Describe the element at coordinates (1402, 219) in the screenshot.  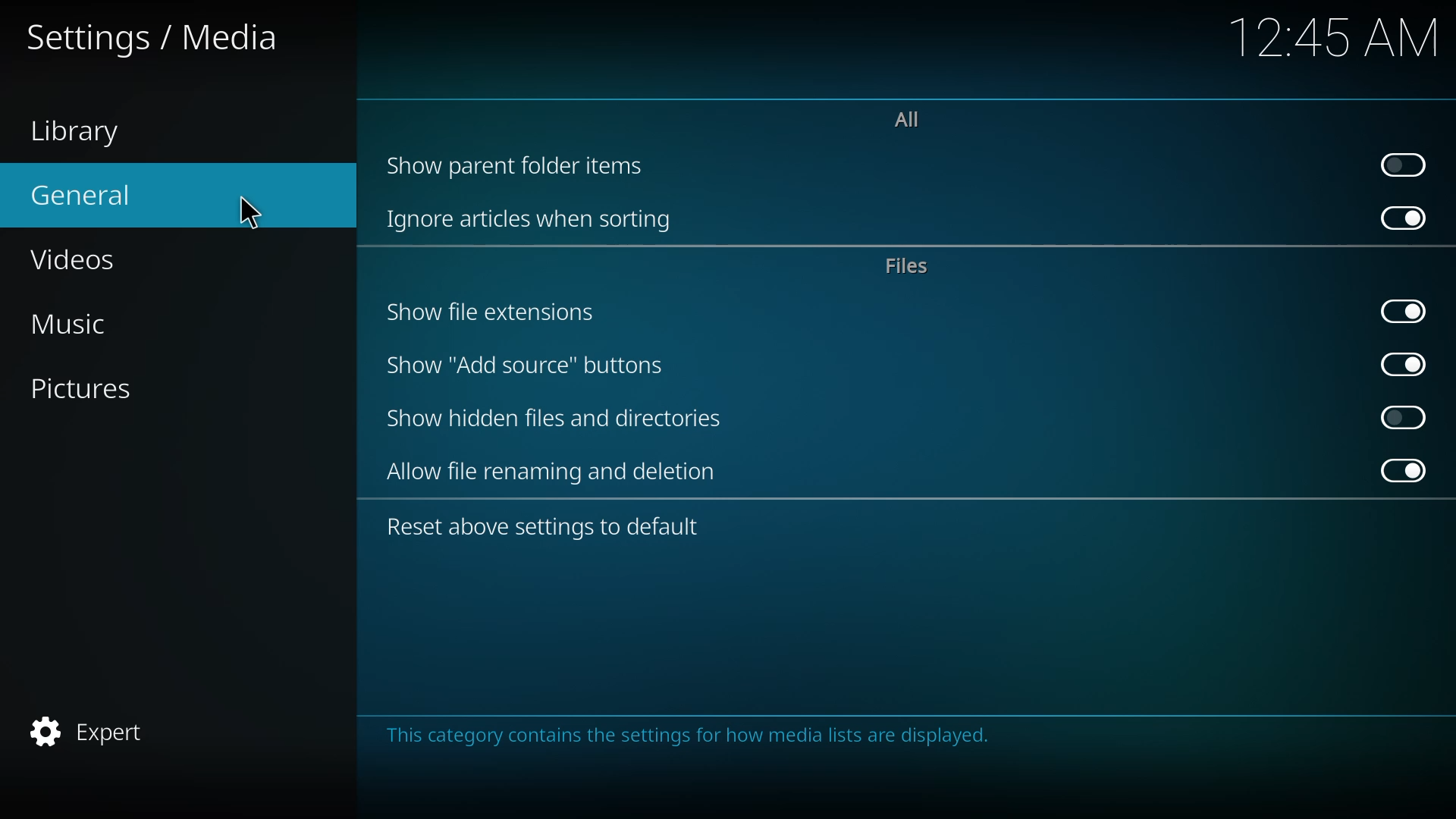
I see `enabled` at that location.